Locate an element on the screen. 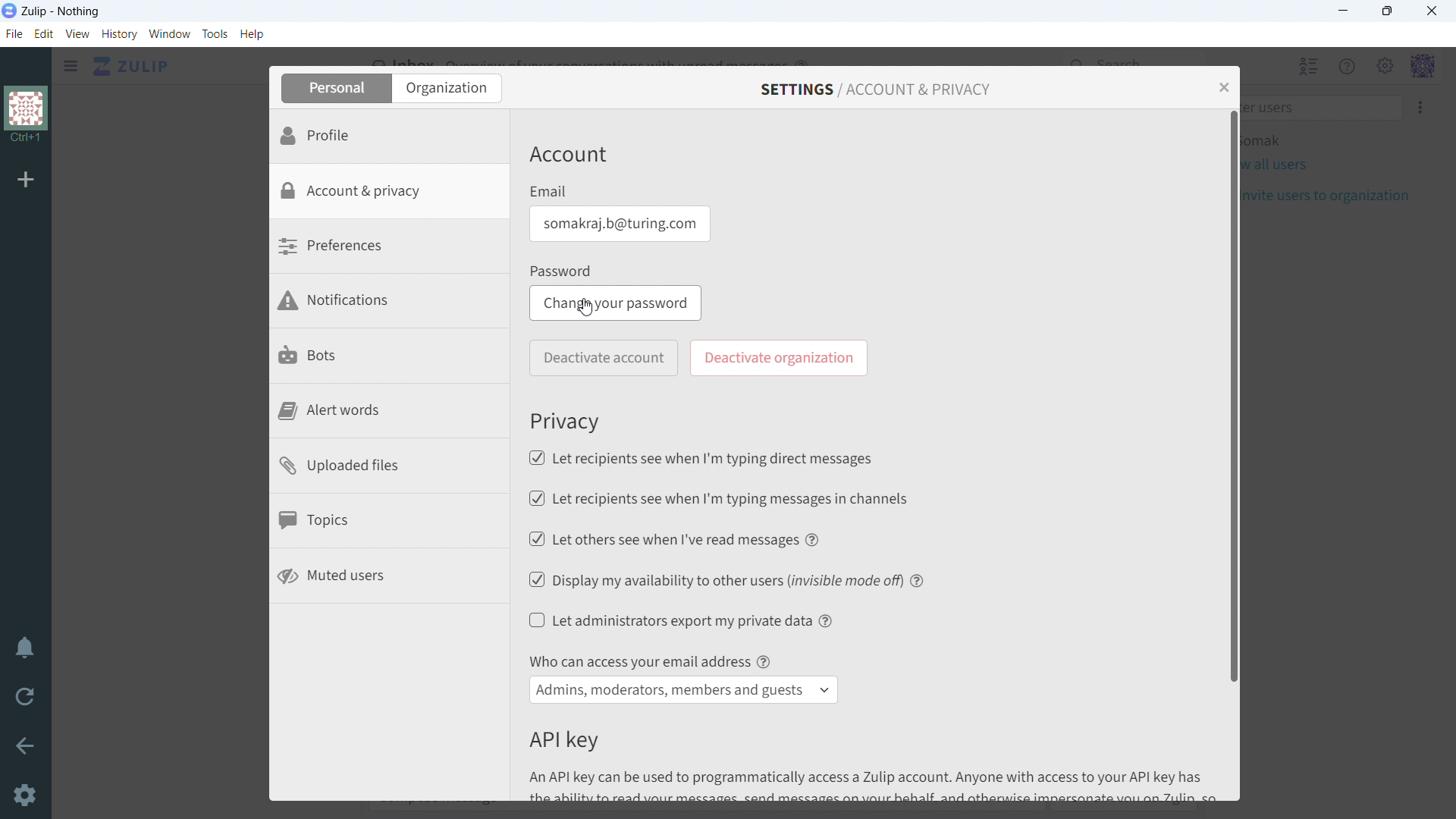  settings/account & privacy is located at coordinates (876, 90).